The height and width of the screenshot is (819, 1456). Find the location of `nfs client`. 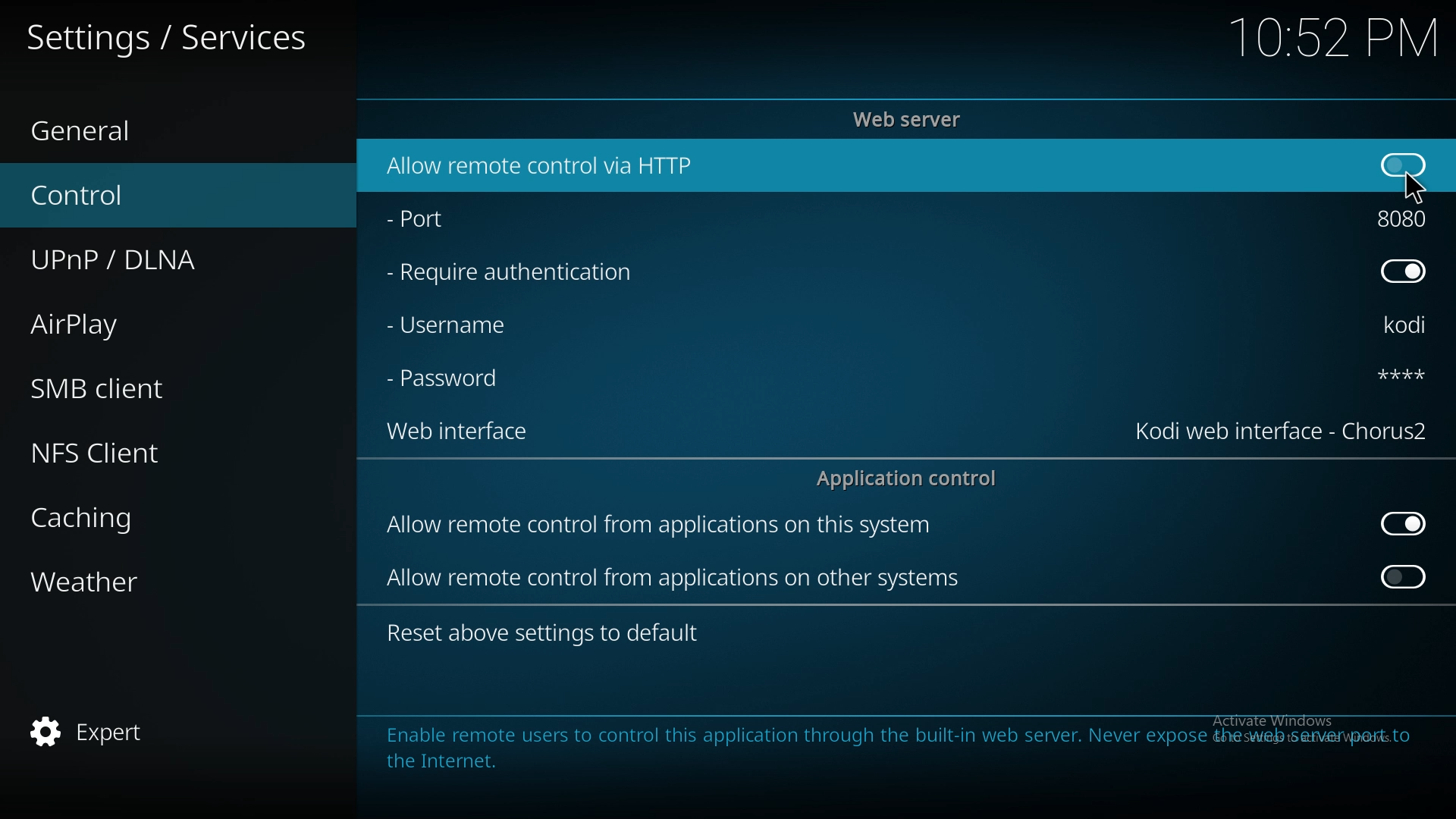

nfs client is located at coordinates (159, 451).